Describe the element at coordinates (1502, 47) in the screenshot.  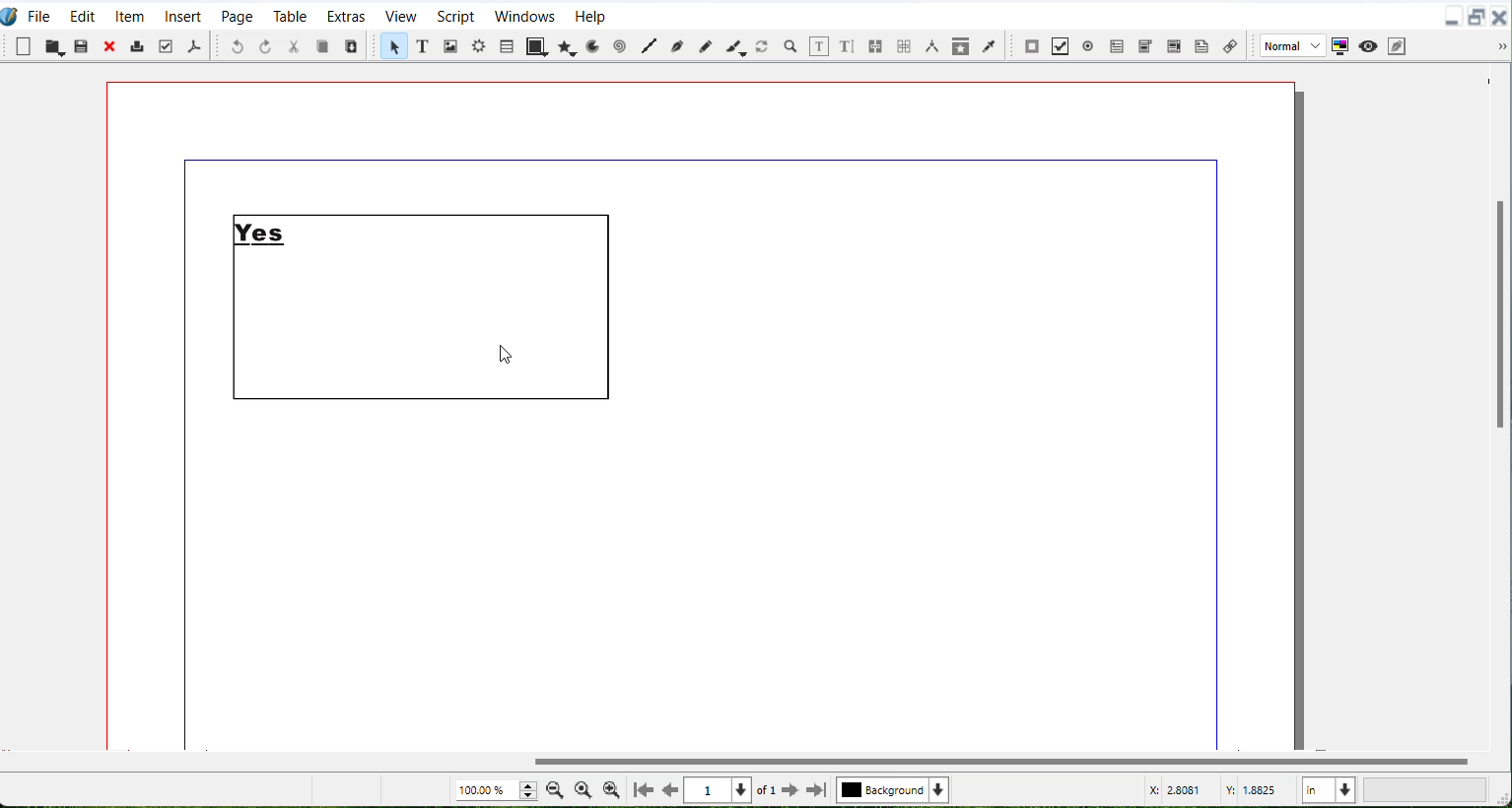
I see `Drop down box` at that location.